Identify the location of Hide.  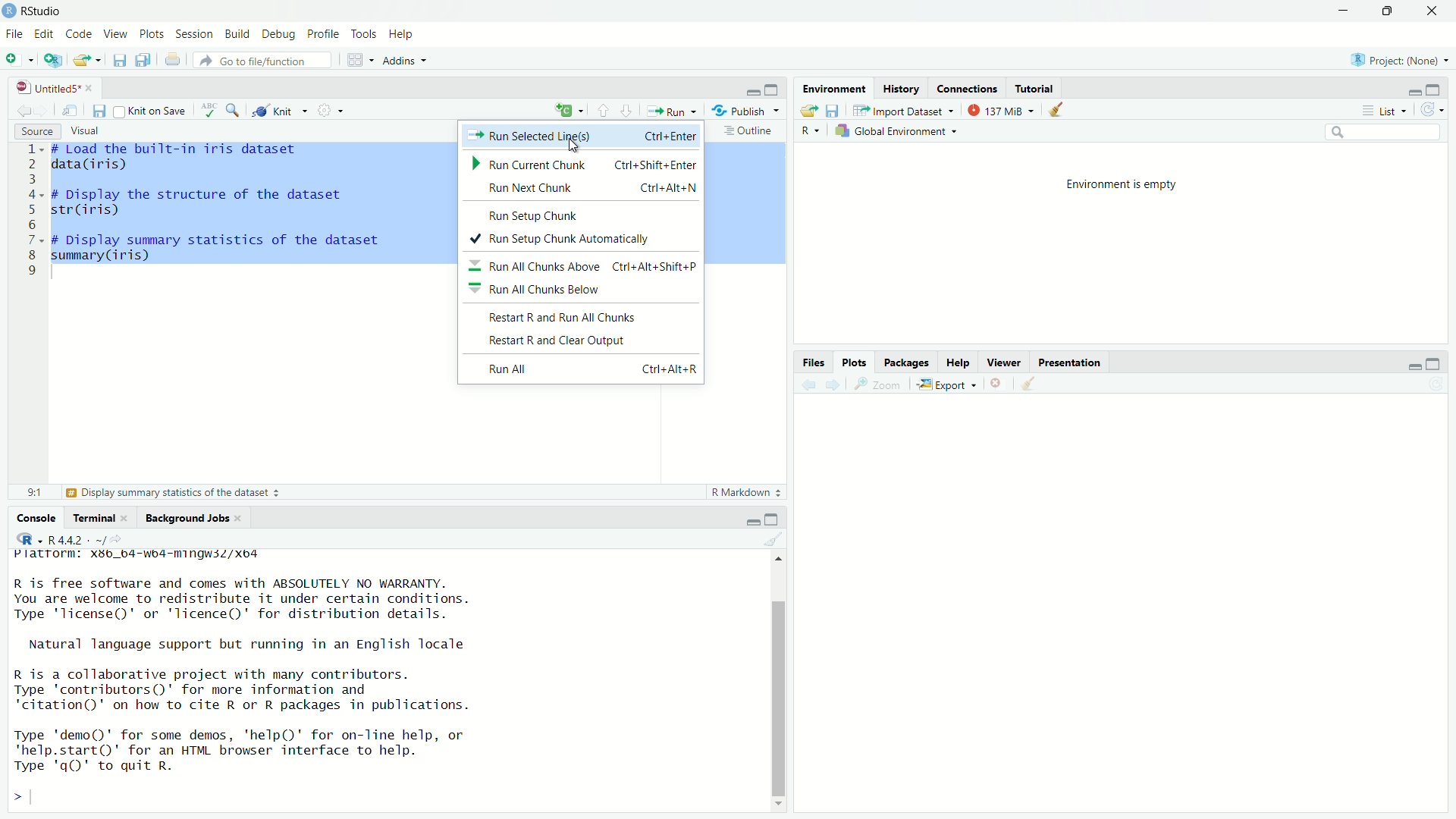
(751, 92).